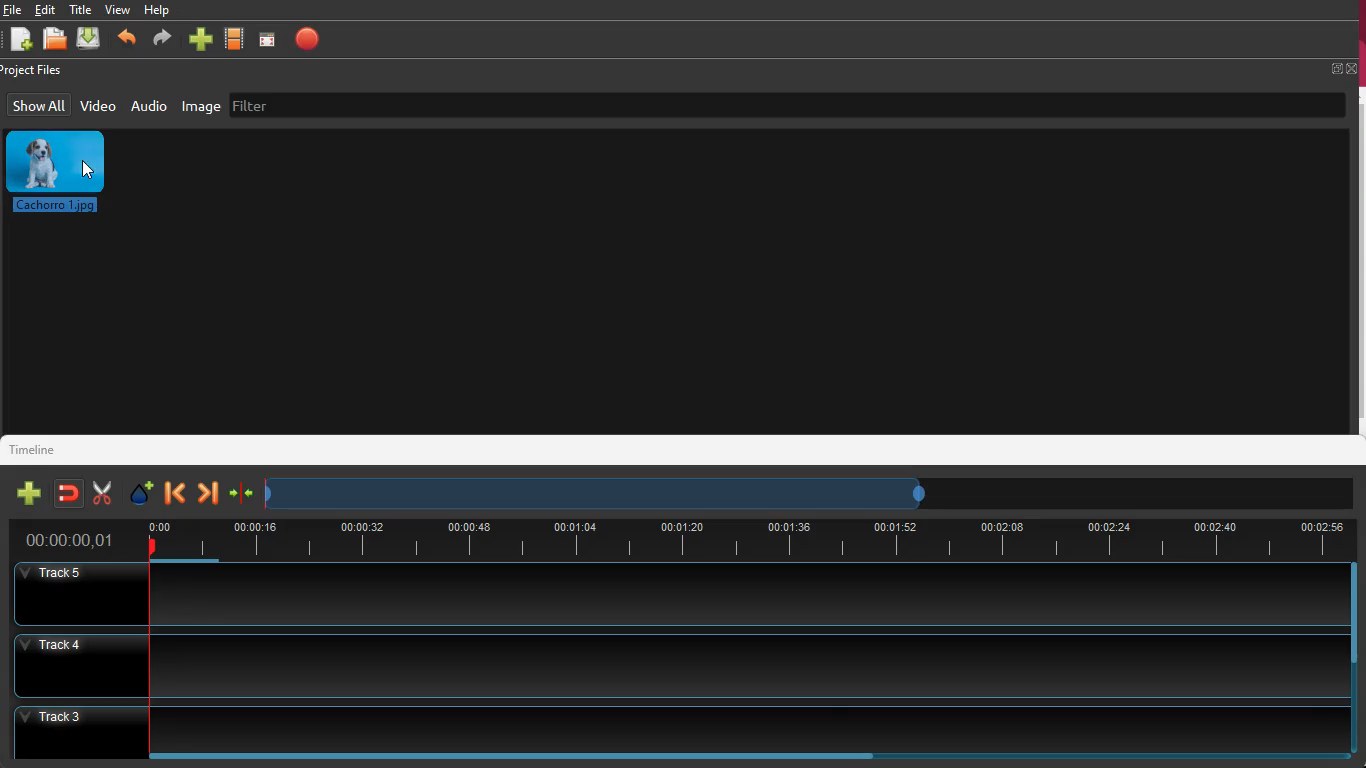 The height and width of the screenshot is (768, 1366). What do you see at coordinates (34, 71) in the screenshot?
I see `project files` at bounding box center [34, 71].